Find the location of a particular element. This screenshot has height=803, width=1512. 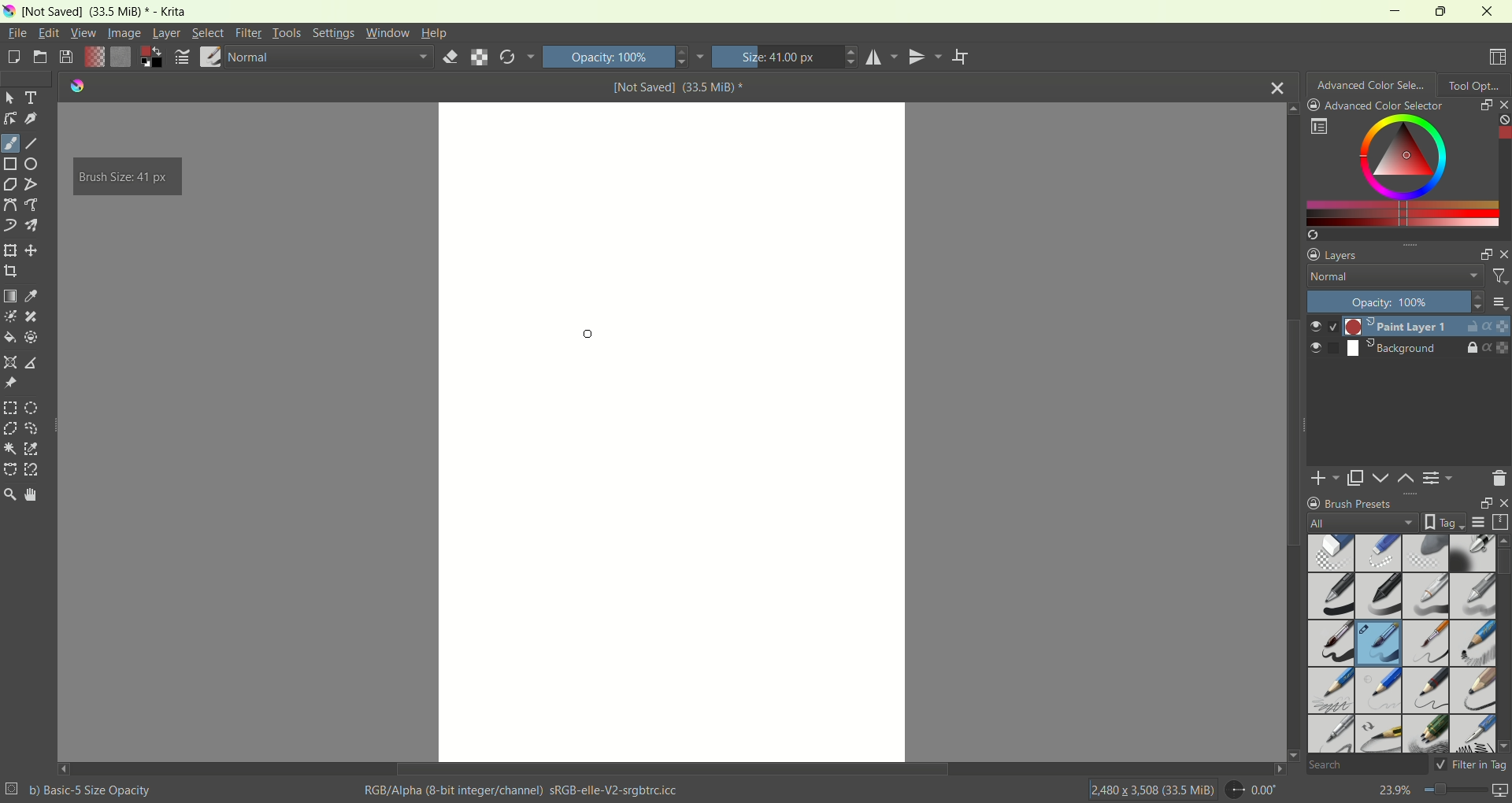

file is located at coordinates (19, 32).